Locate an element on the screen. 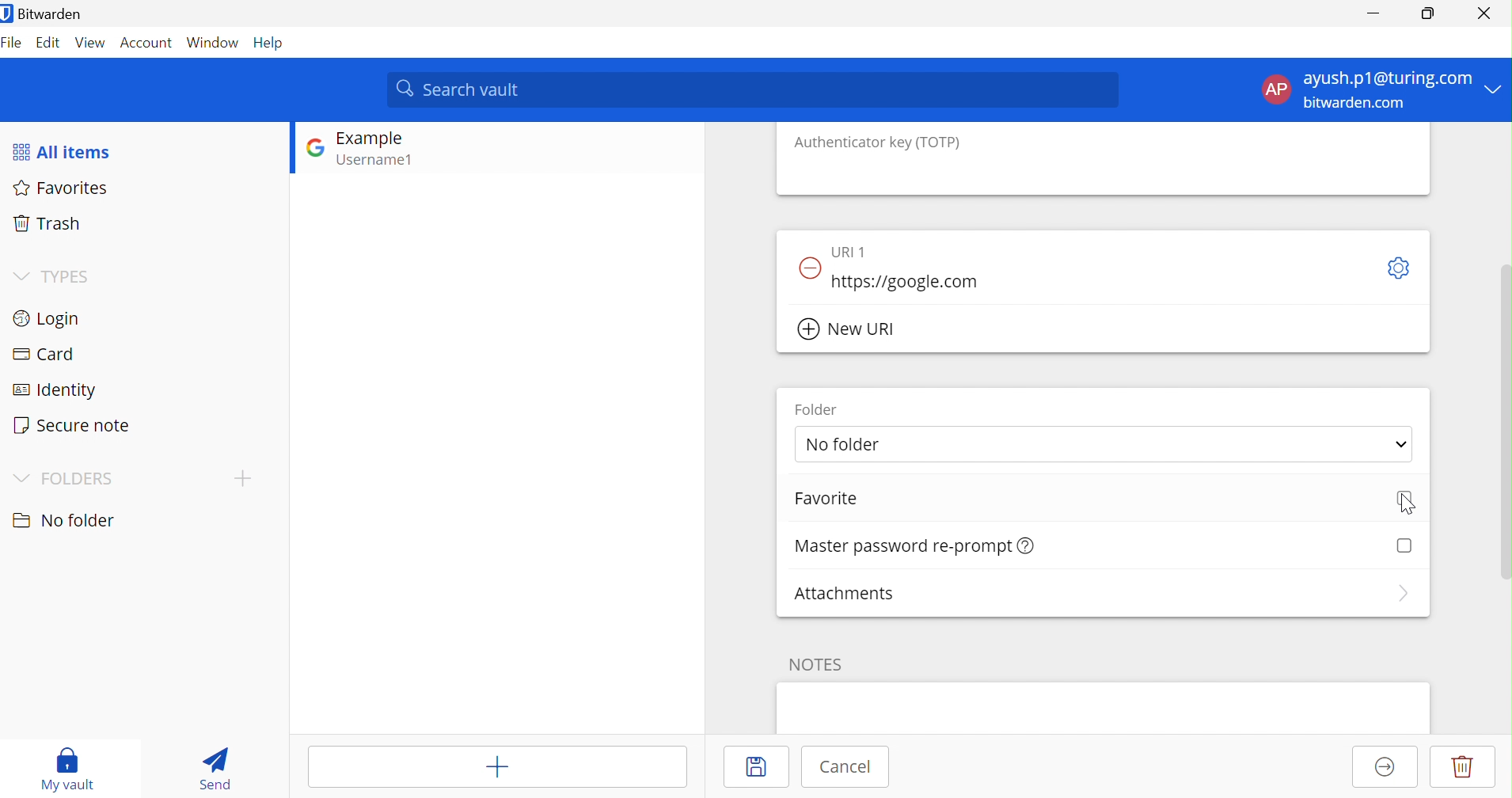 The width and height of the screenshot is (1512, 798). Authenticator key (TOTP) is located at coordinates (878, 142).